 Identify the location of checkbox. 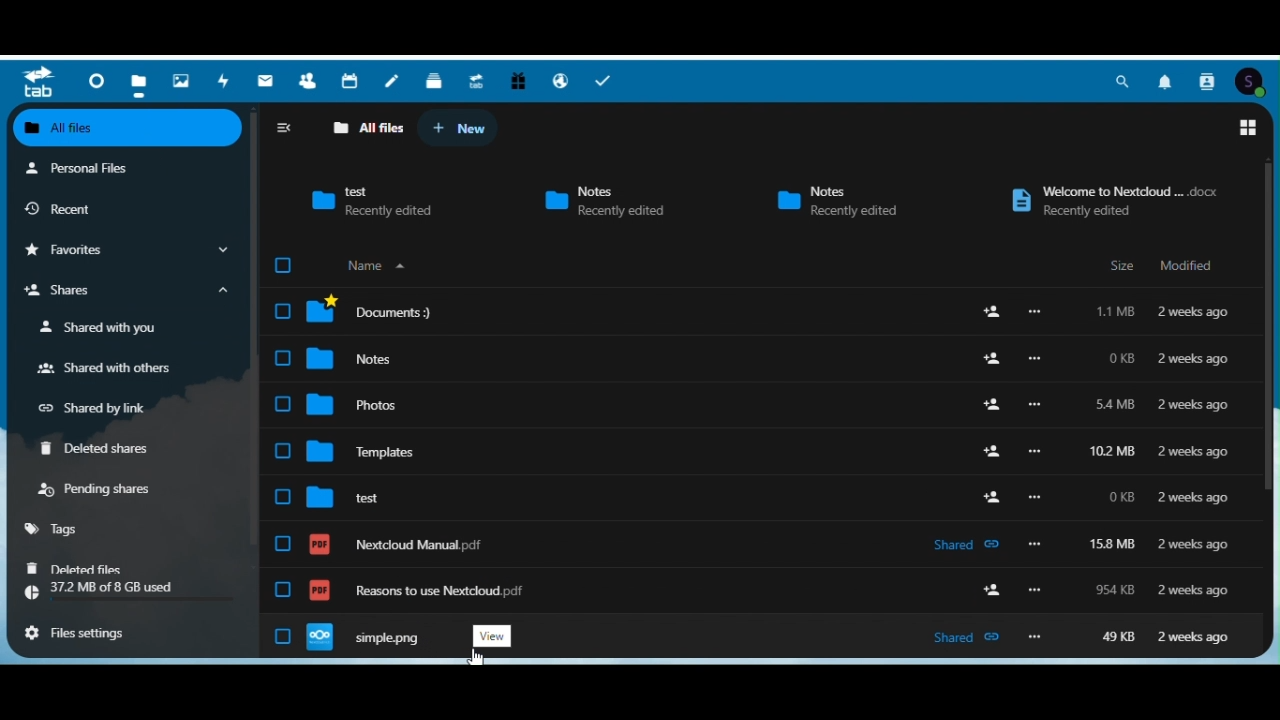
(283, 589).